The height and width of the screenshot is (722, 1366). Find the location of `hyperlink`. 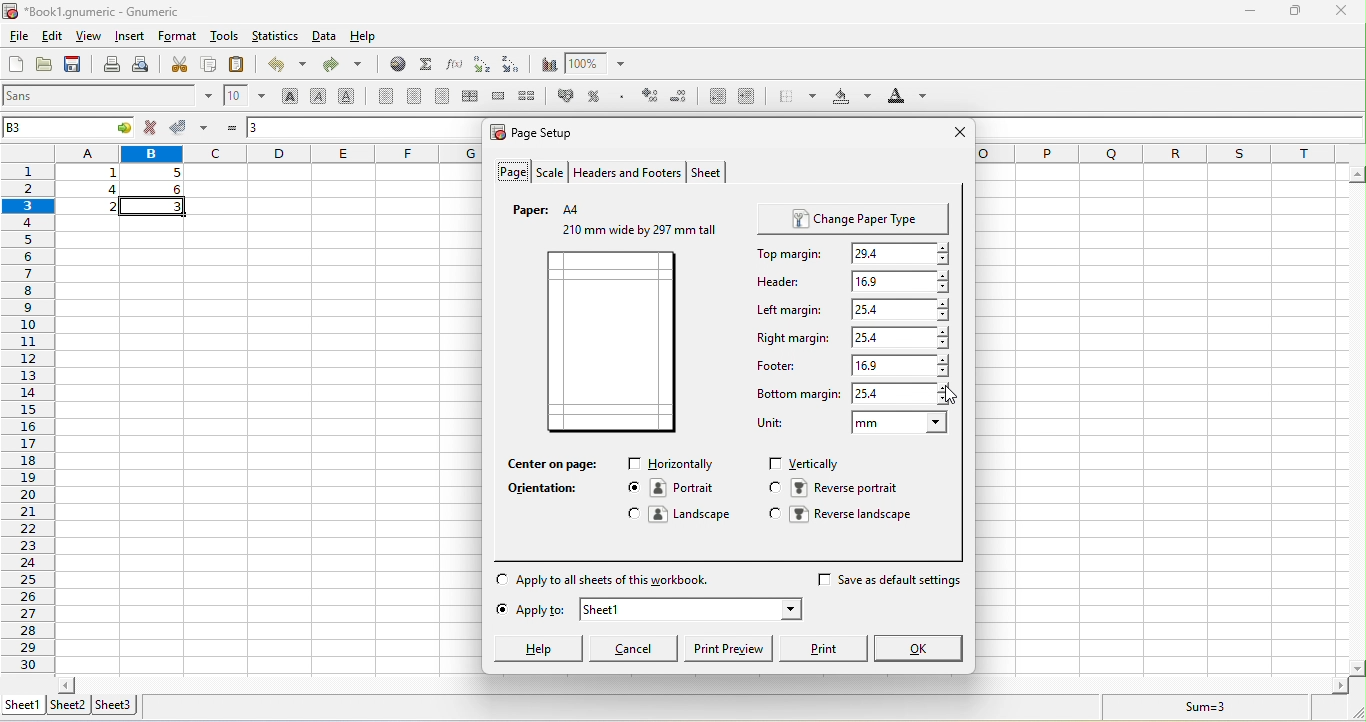

hyperlink is located at coordinates (394, 65).